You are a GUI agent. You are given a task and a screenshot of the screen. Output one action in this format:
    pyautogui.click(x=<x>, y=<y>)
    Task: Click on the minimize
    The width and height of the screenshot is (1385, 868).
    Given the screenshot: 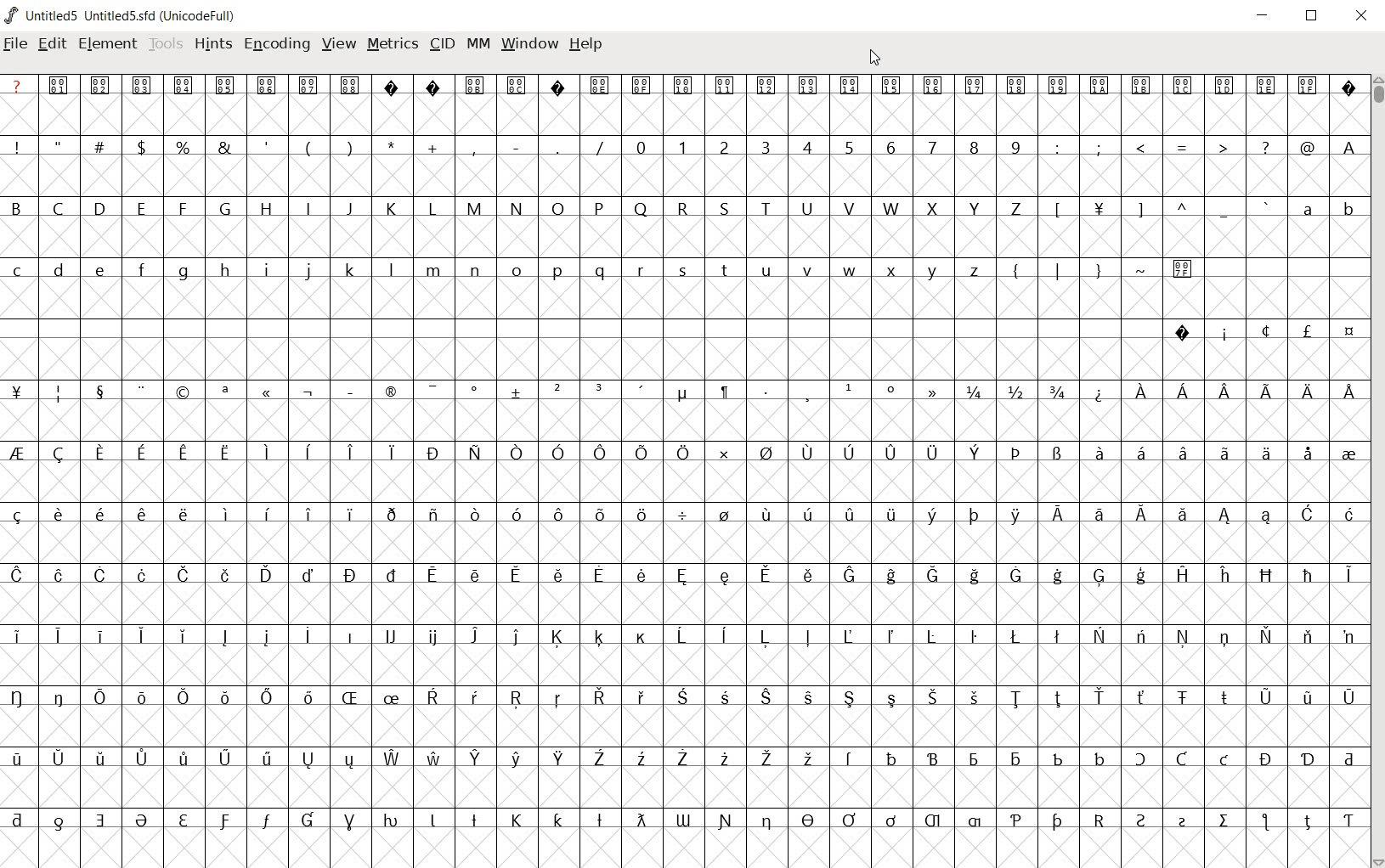 What is the action you would take?
    pyautogui.click(x=1266, y=17)
    